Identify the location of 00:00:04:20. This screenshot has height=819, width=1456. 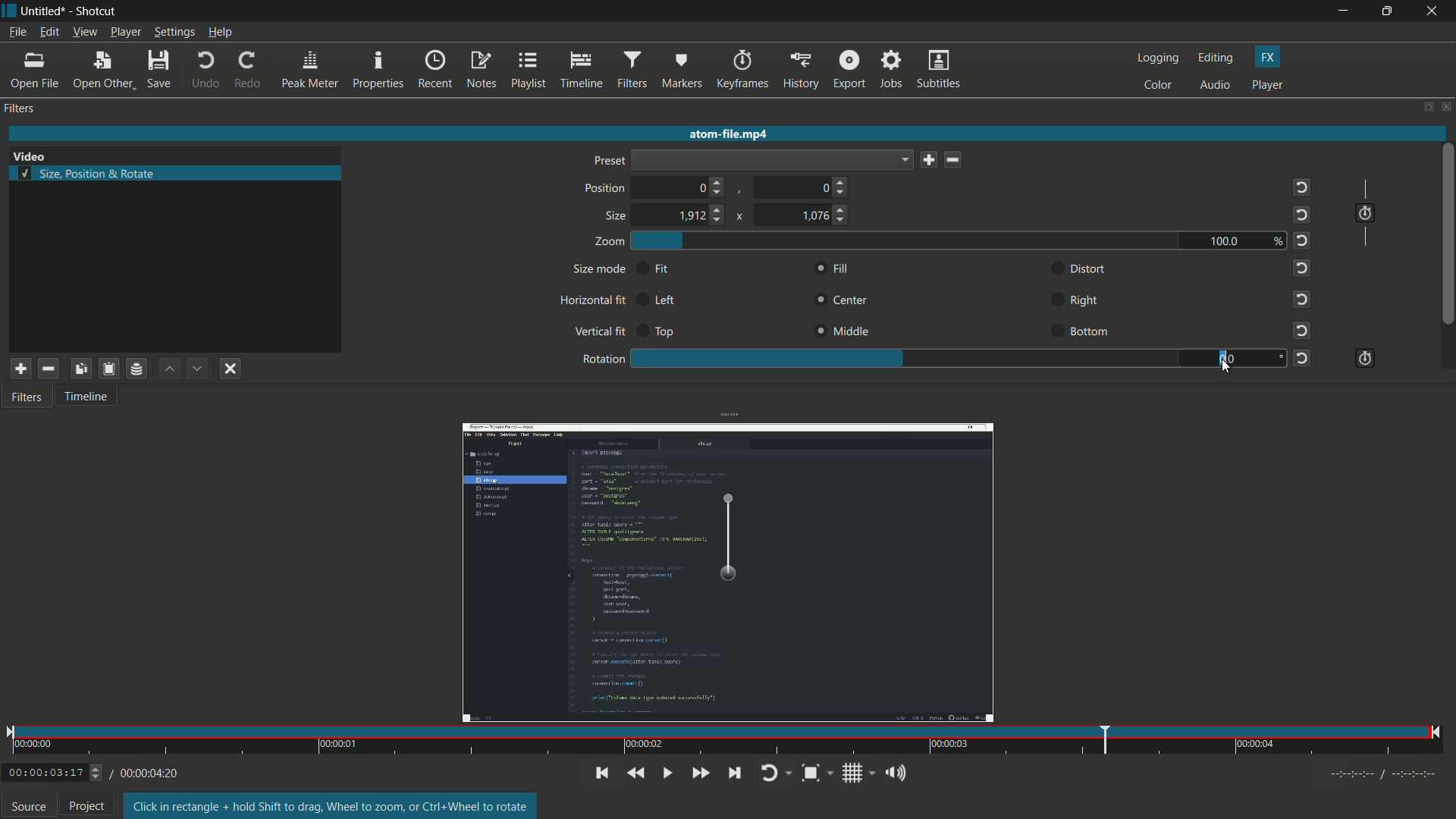
(145, 774).